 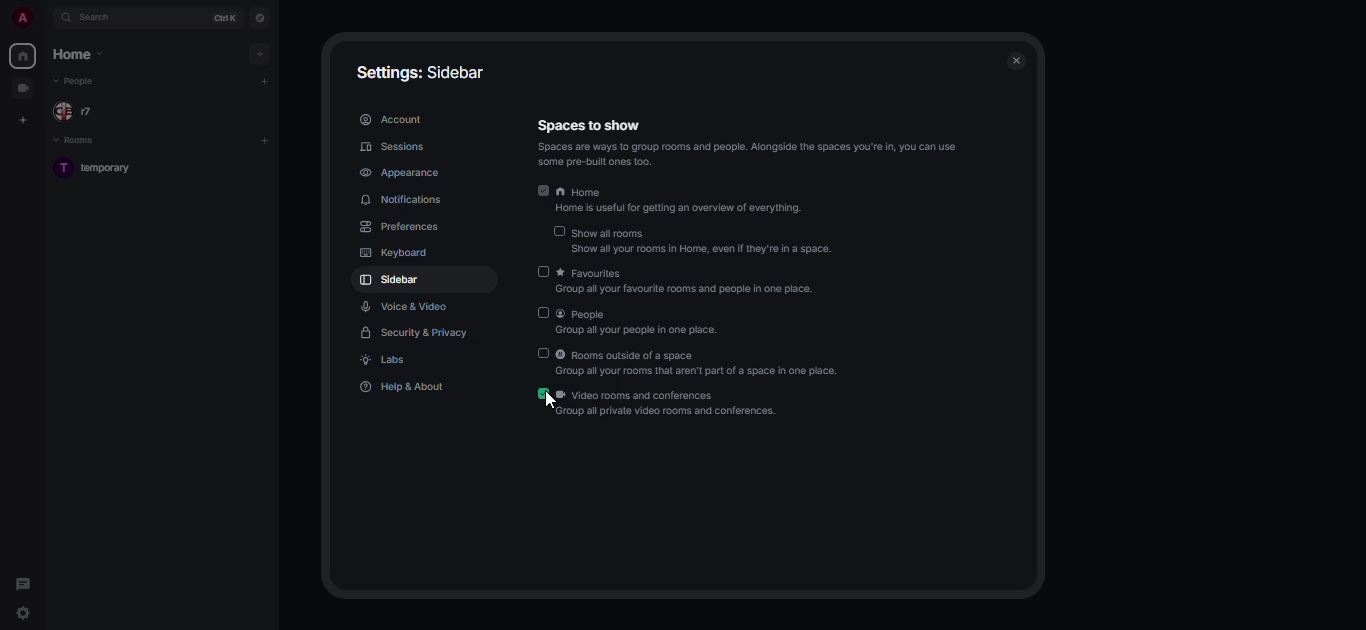 I want to click on close, so click(x=1018, y=61).